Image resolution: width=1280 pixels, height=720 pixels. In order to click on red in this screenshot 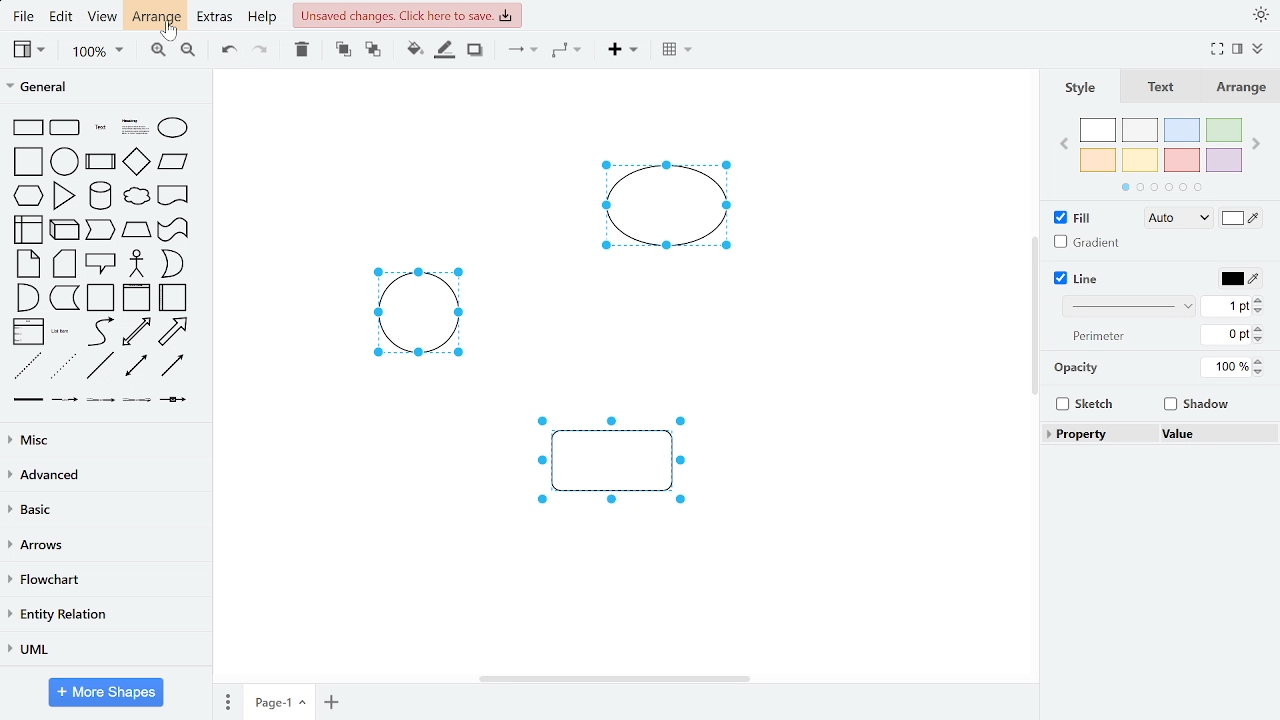, I will do `click(1182, 160)`.